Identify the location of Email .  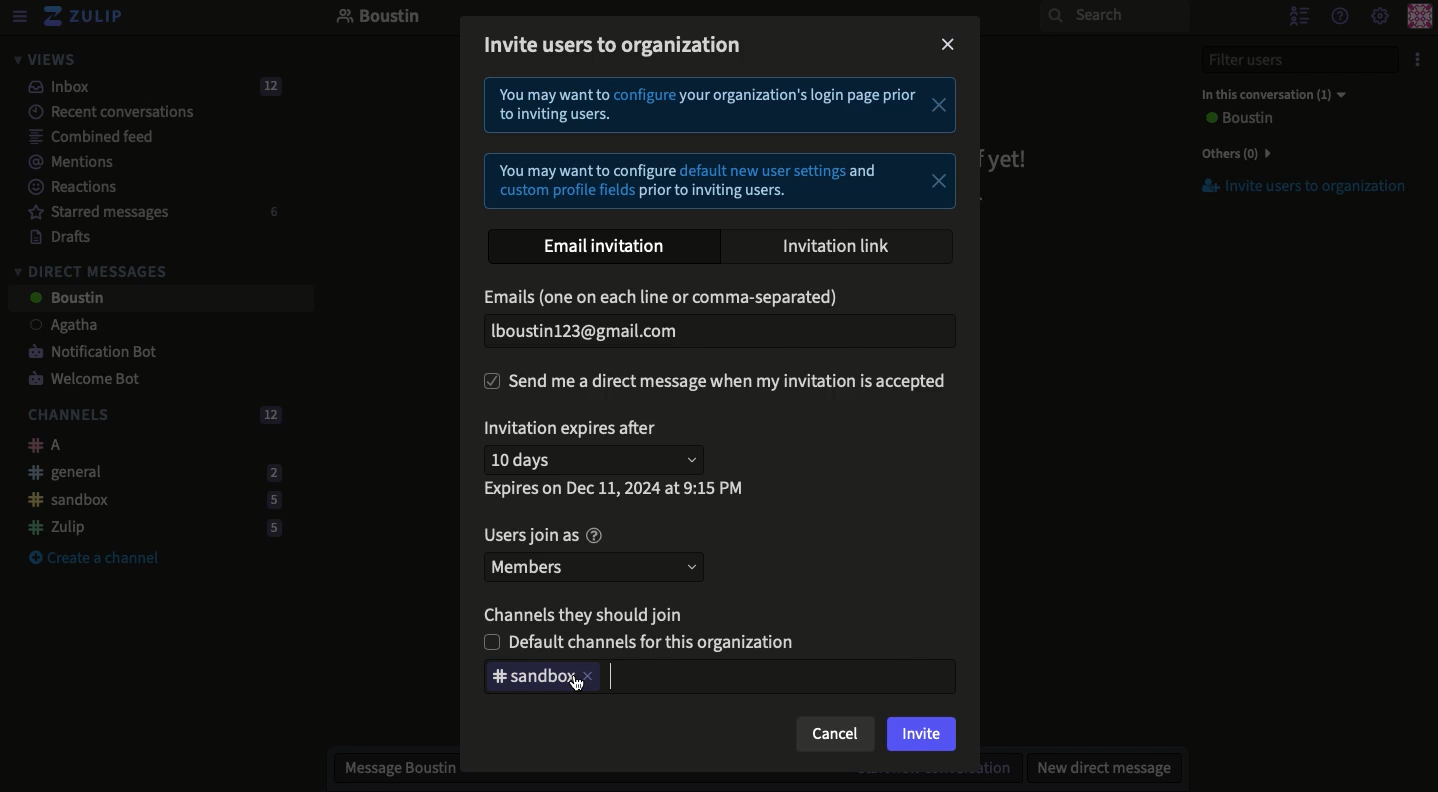
(666, 299).